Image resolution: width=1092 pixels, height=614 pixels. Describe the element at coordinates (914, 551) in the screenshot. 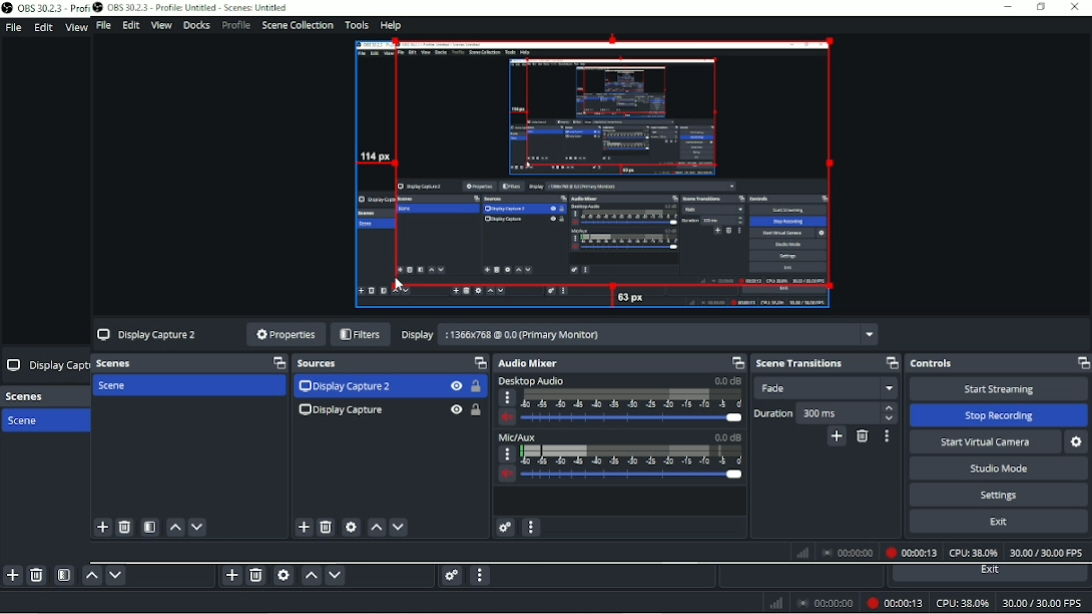

I see `00:00:10` at that location.